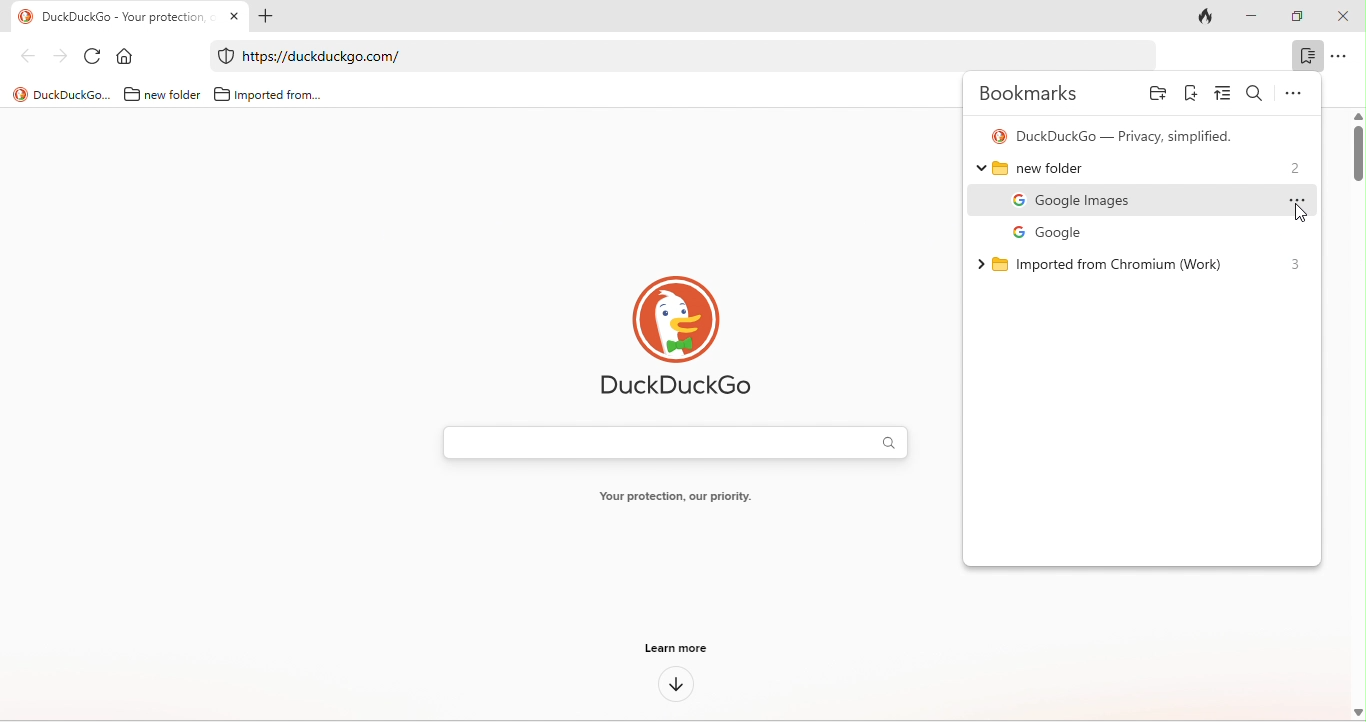 This screenshot has width=1366, height=722. Describe the element at coordinates (1346, 17) in the screenshot. I see `close` at that location.